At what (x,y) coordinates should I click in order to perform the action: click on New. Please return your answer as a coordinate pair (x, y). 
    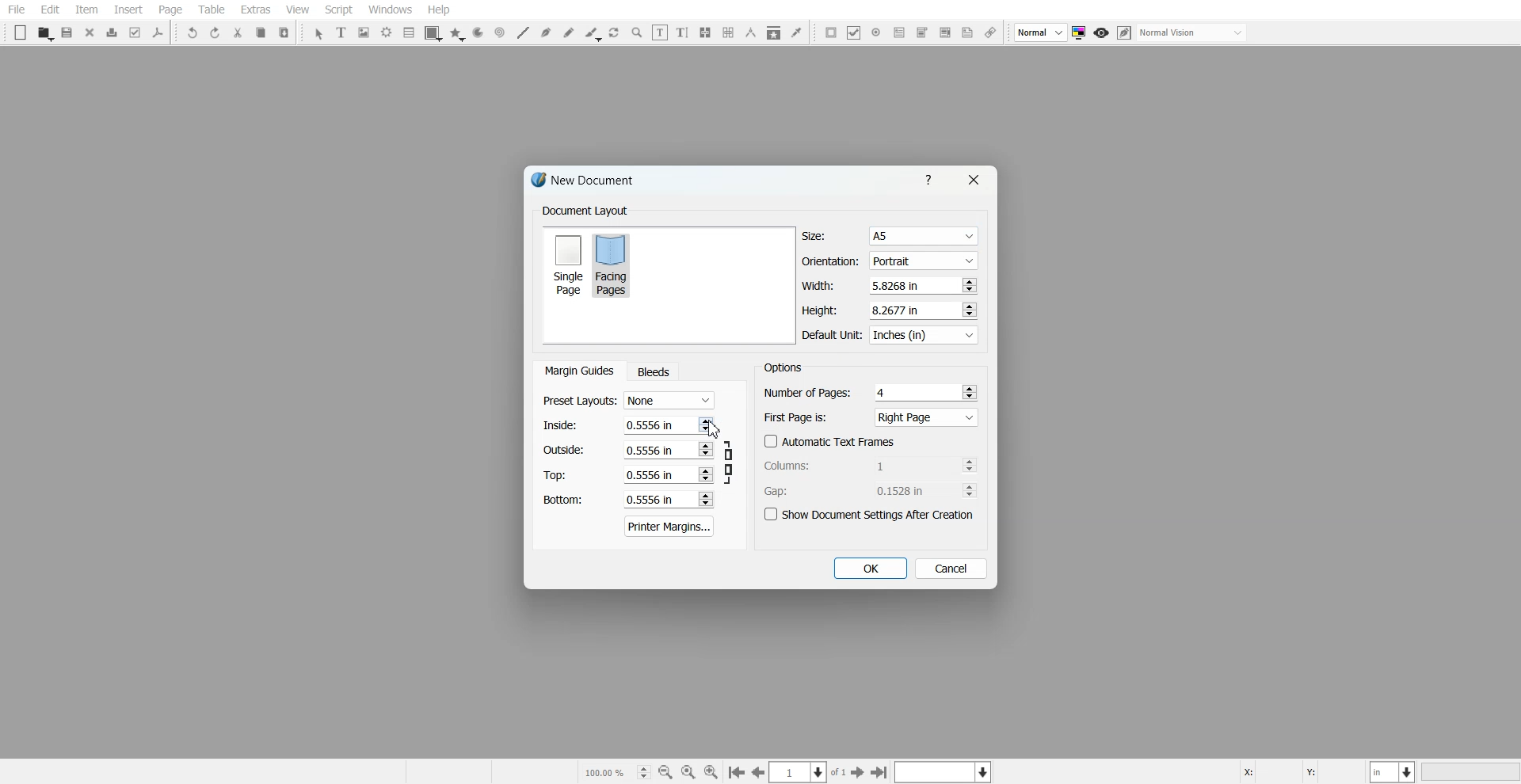
    Looking at the image, I should click on (21, 32).